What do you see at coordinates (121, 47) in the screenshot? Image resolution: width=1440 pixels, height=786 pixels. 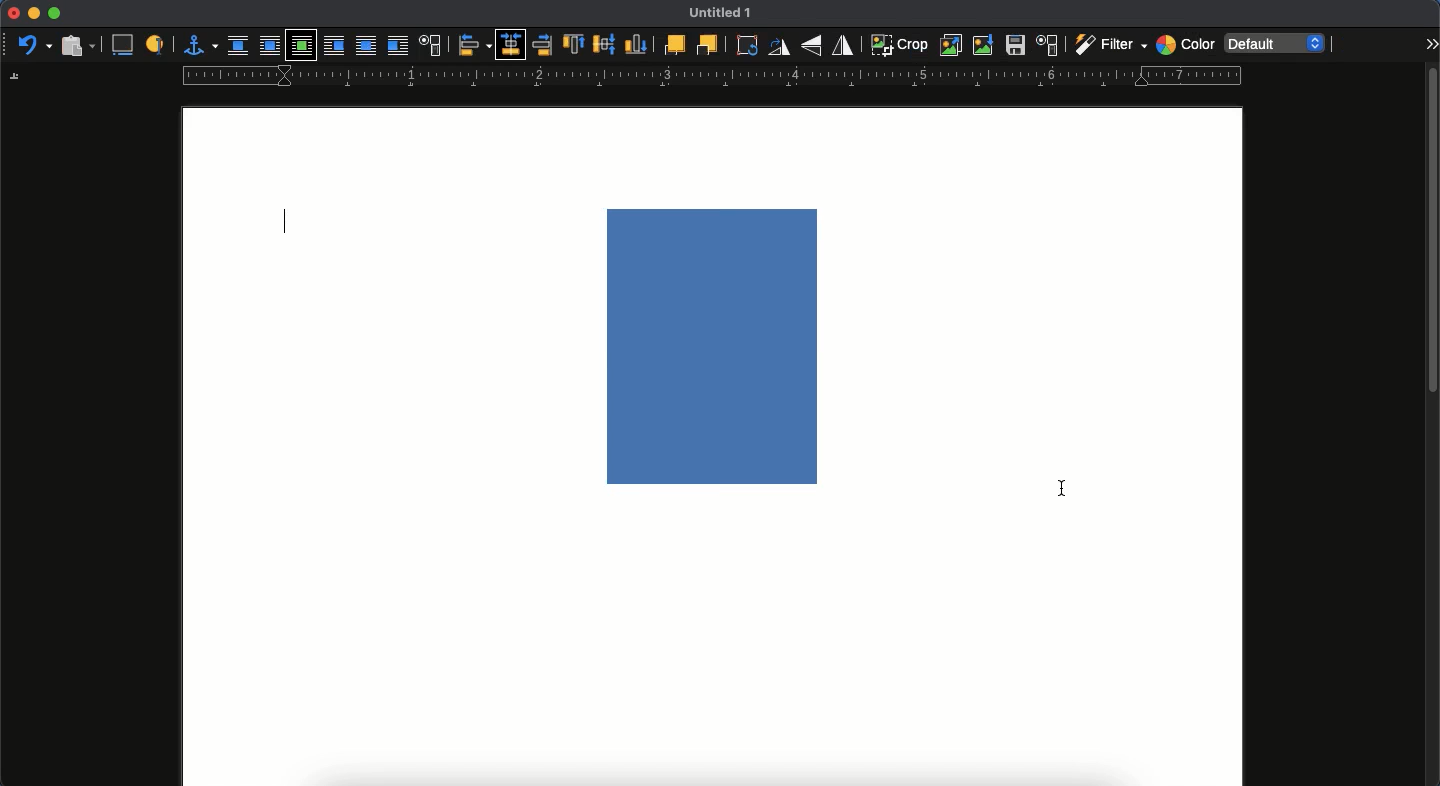 I see `caption` at bounding box center [121, 47].